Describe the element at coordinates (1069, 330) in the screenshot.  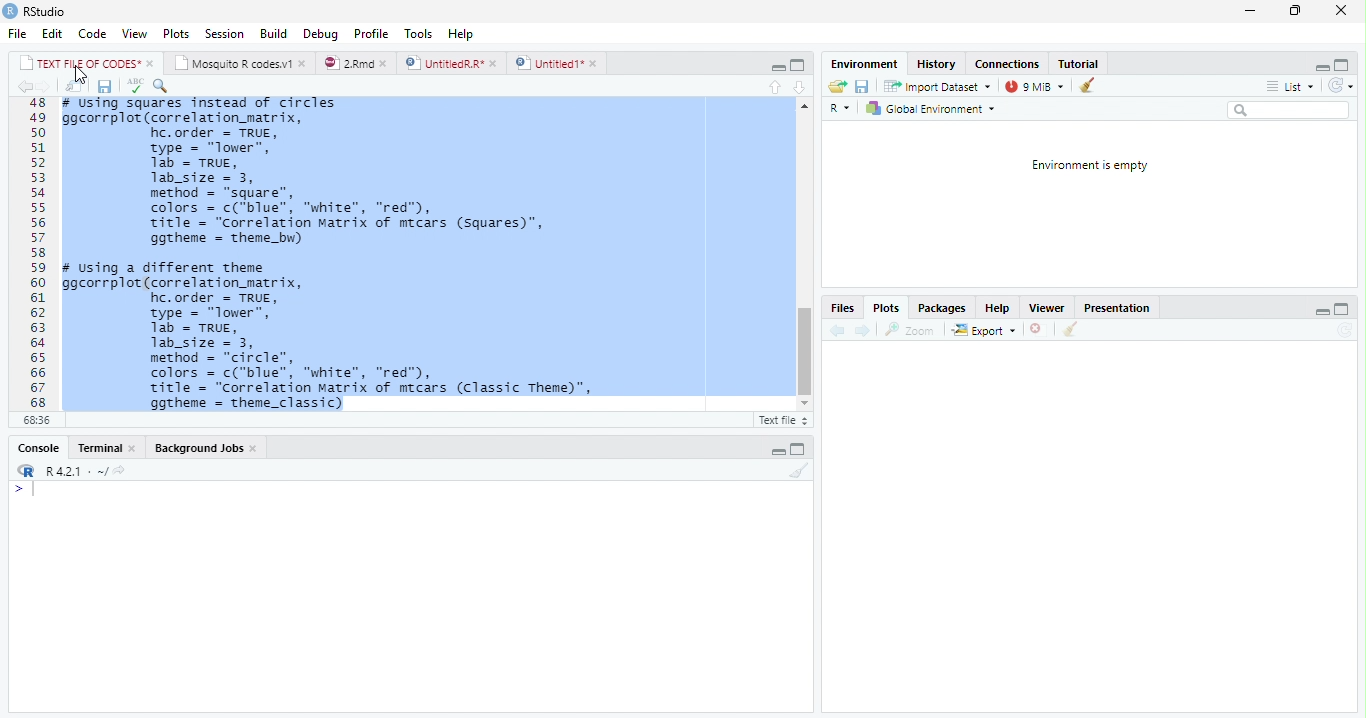
I see `clear all plots` at that location.